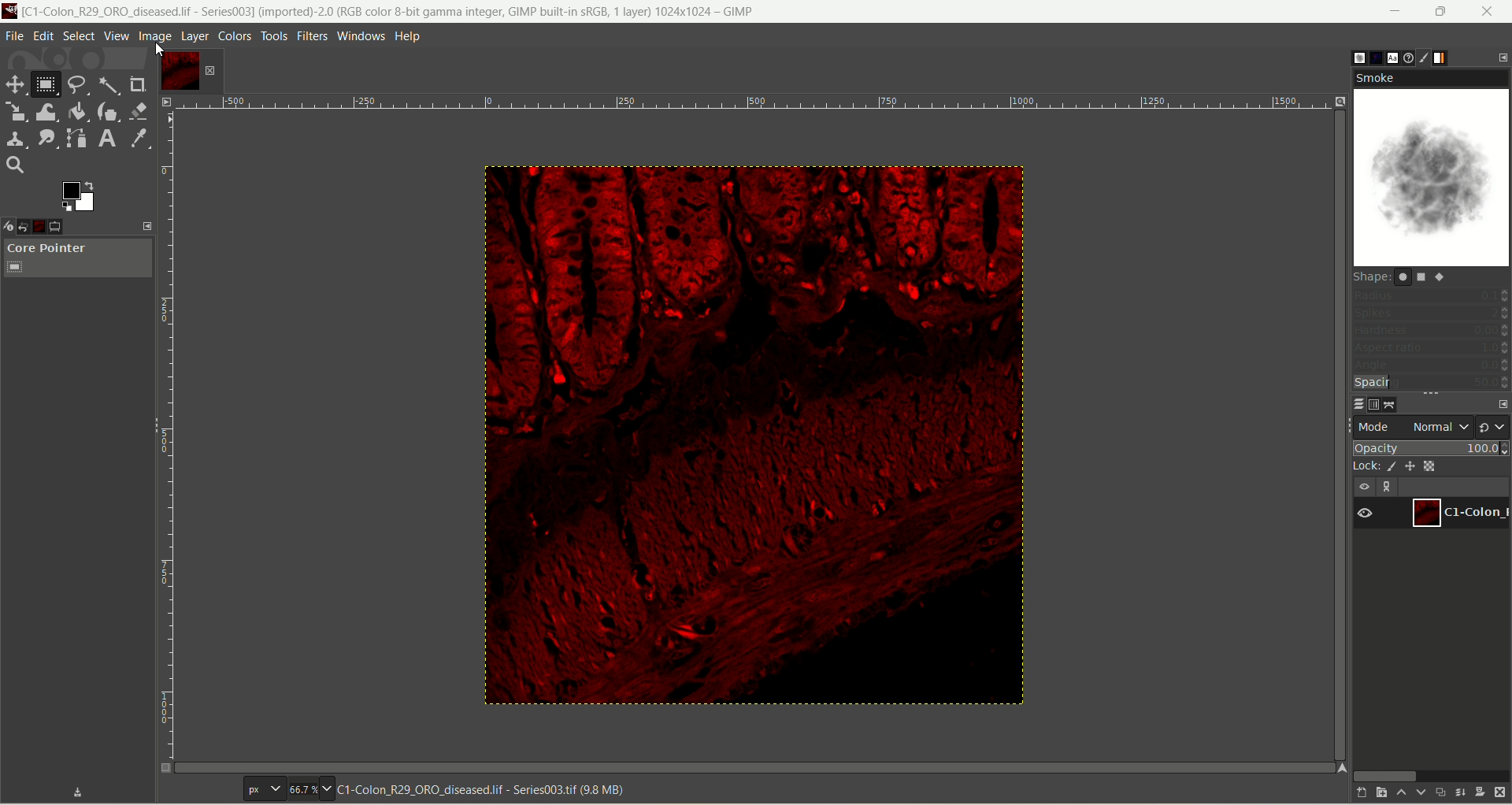 The image size is (1512, 805). What do you see at coordinates (1461, 795) in the screenshot?
I see `merge layer` at bounding box center [1461, 795].